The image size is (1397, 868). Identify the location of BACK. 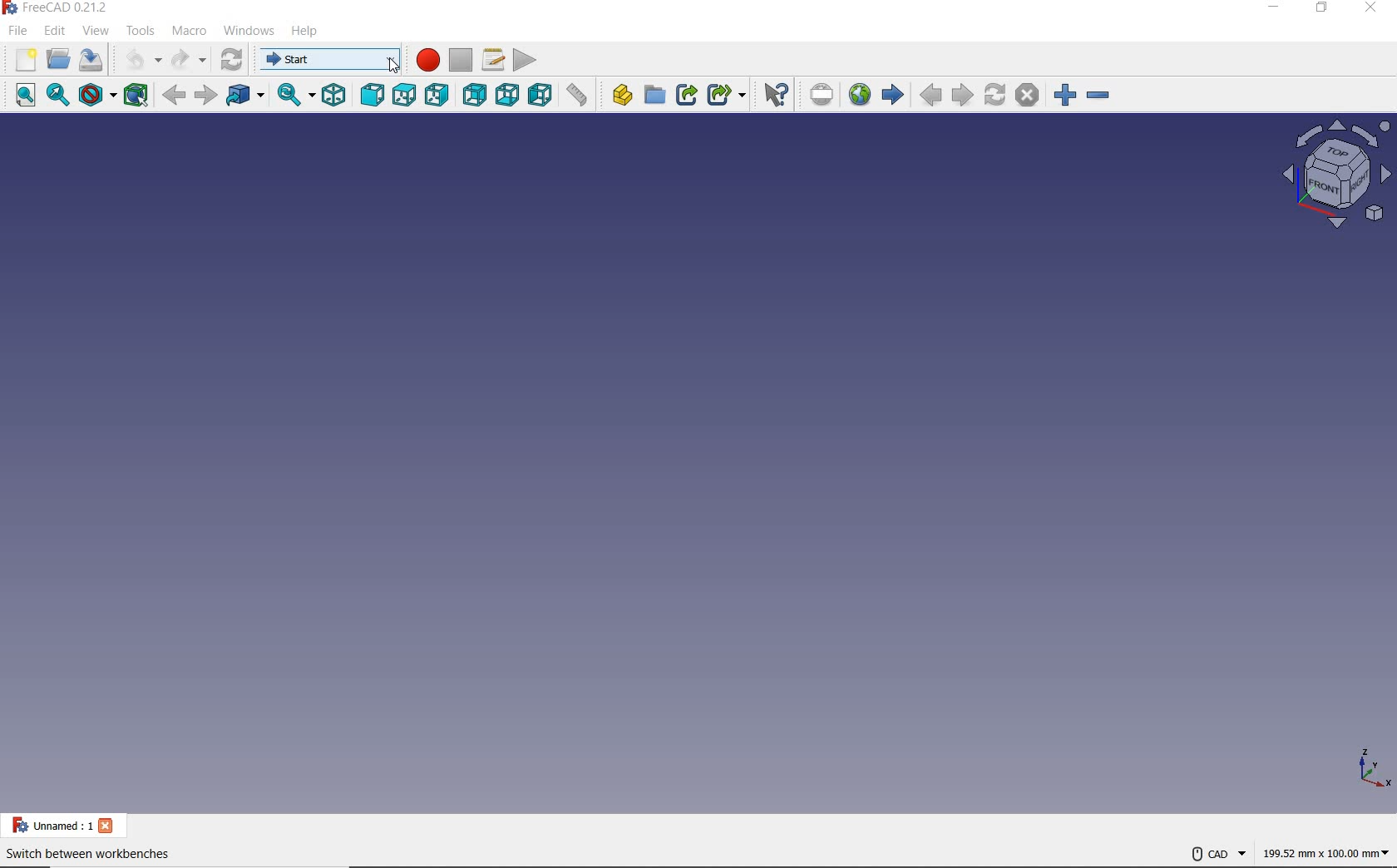
(175, 94).